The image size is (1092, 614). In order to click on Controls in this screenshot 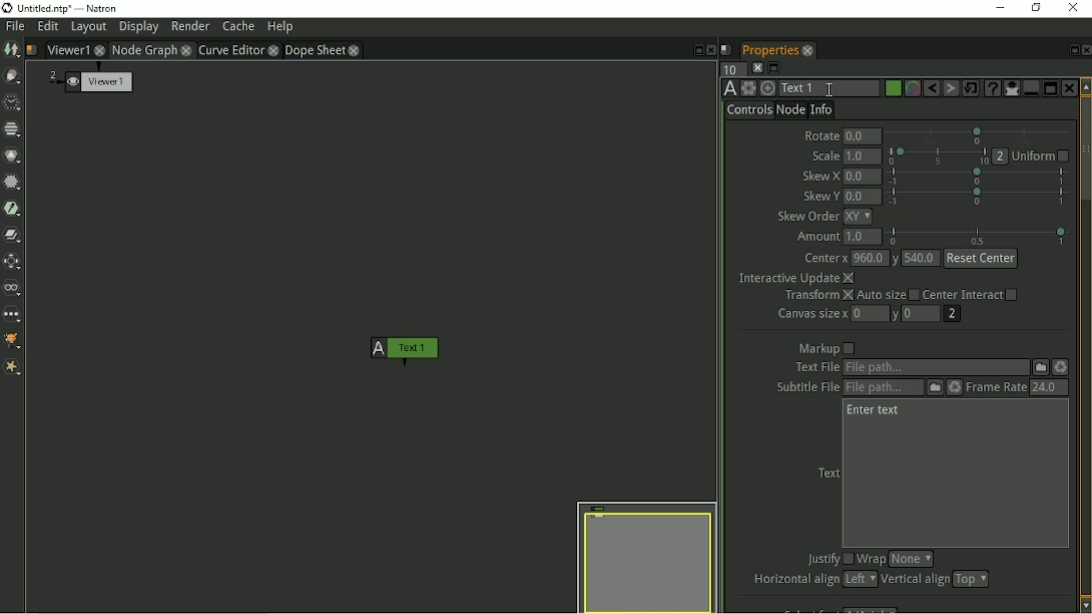, I will do `click(749, 111)`.